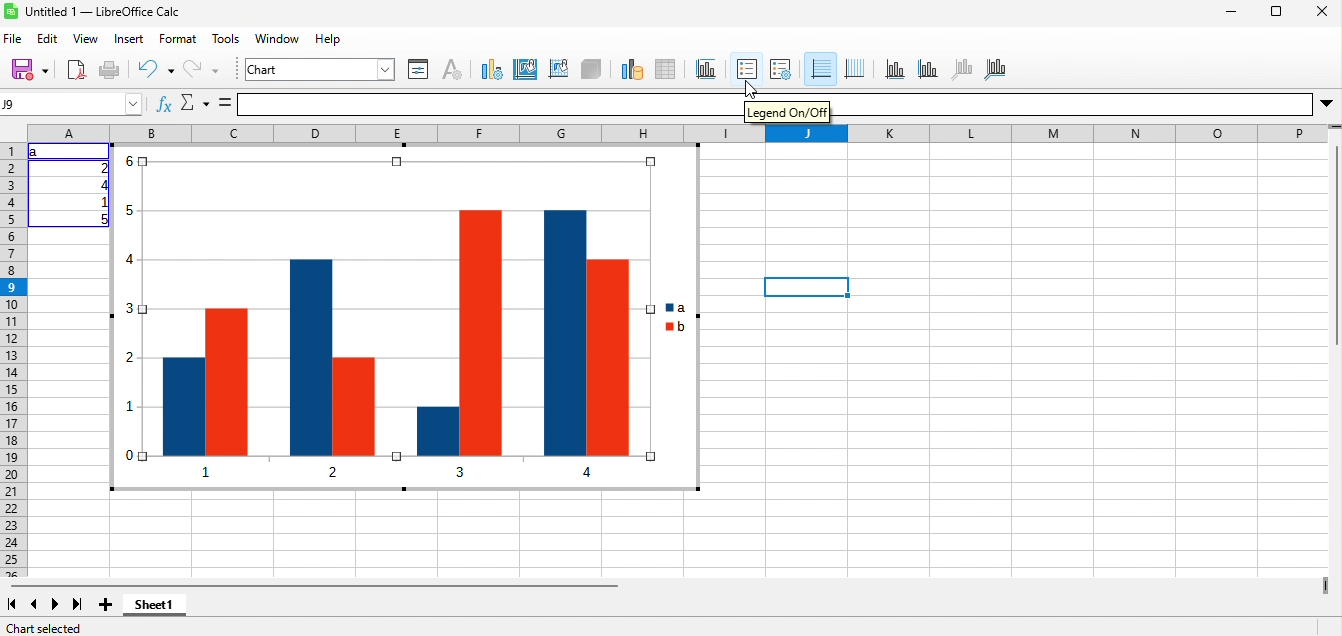 The height and width of the screenshot is (636, 1342). Describe the element at coordinates (87, 40) in the screenshot. I see `view` at that location.